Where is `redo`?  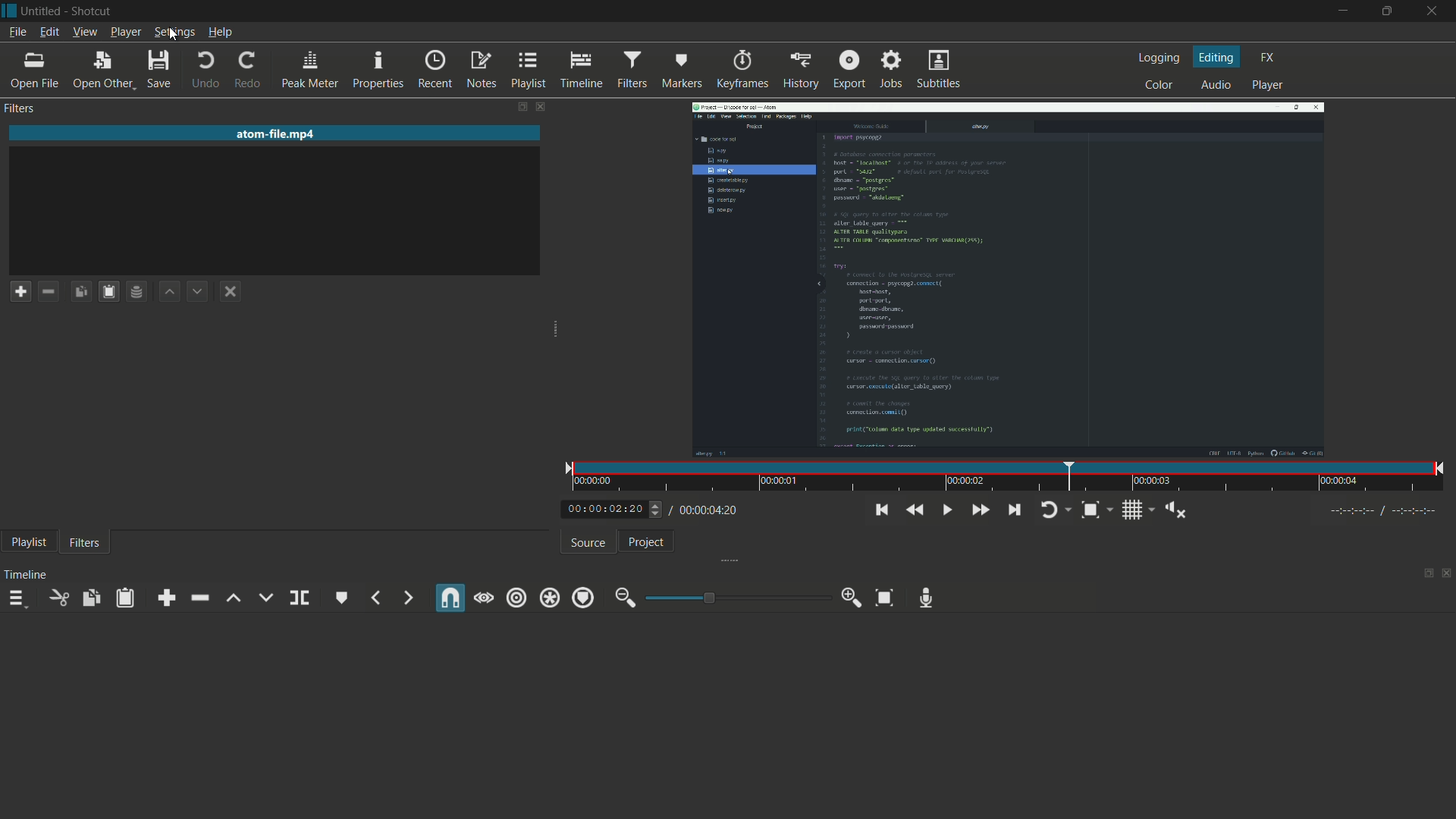
redo is located at coordinates (249, 70).